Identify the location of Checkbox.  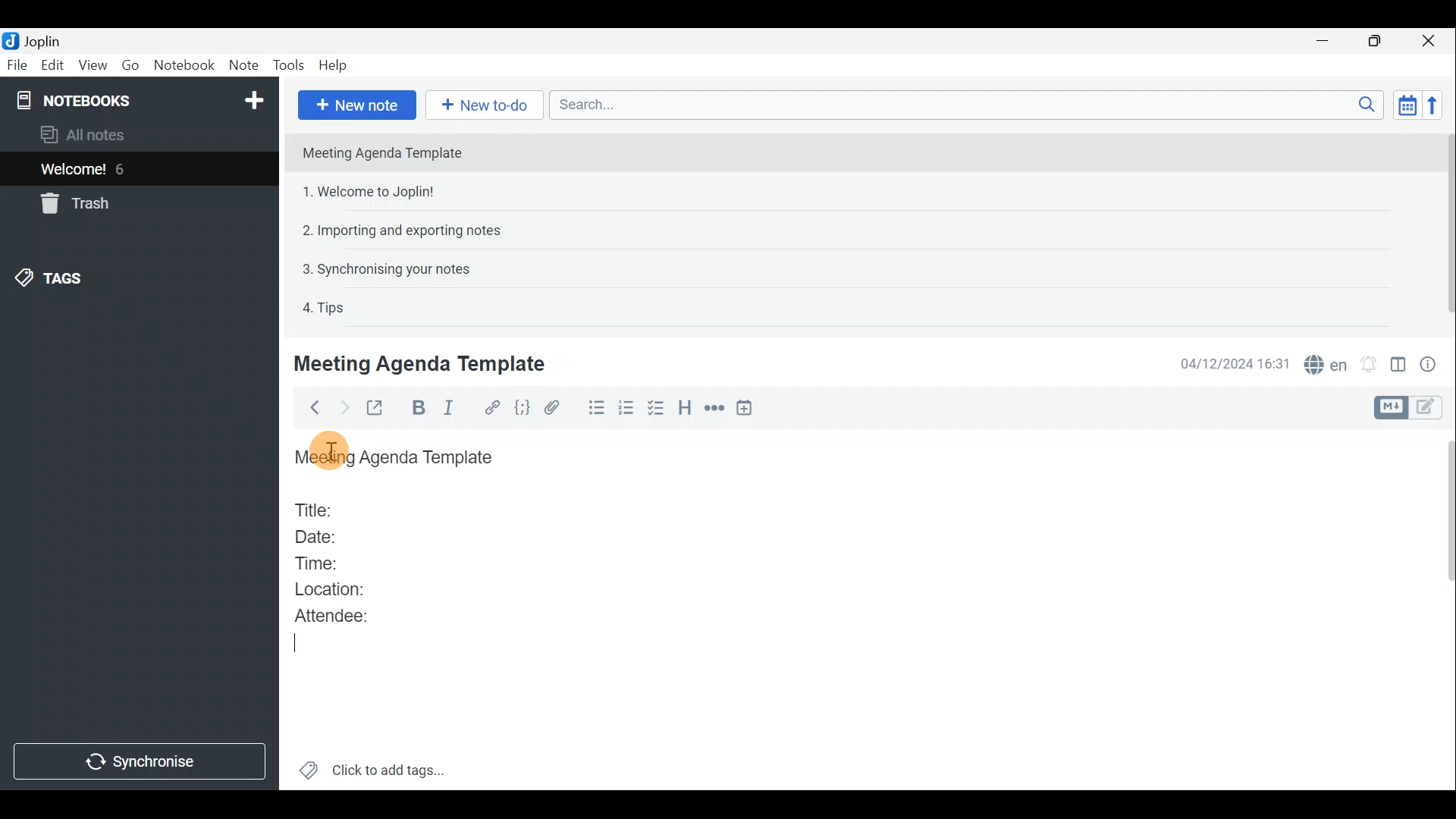
(653, 409).